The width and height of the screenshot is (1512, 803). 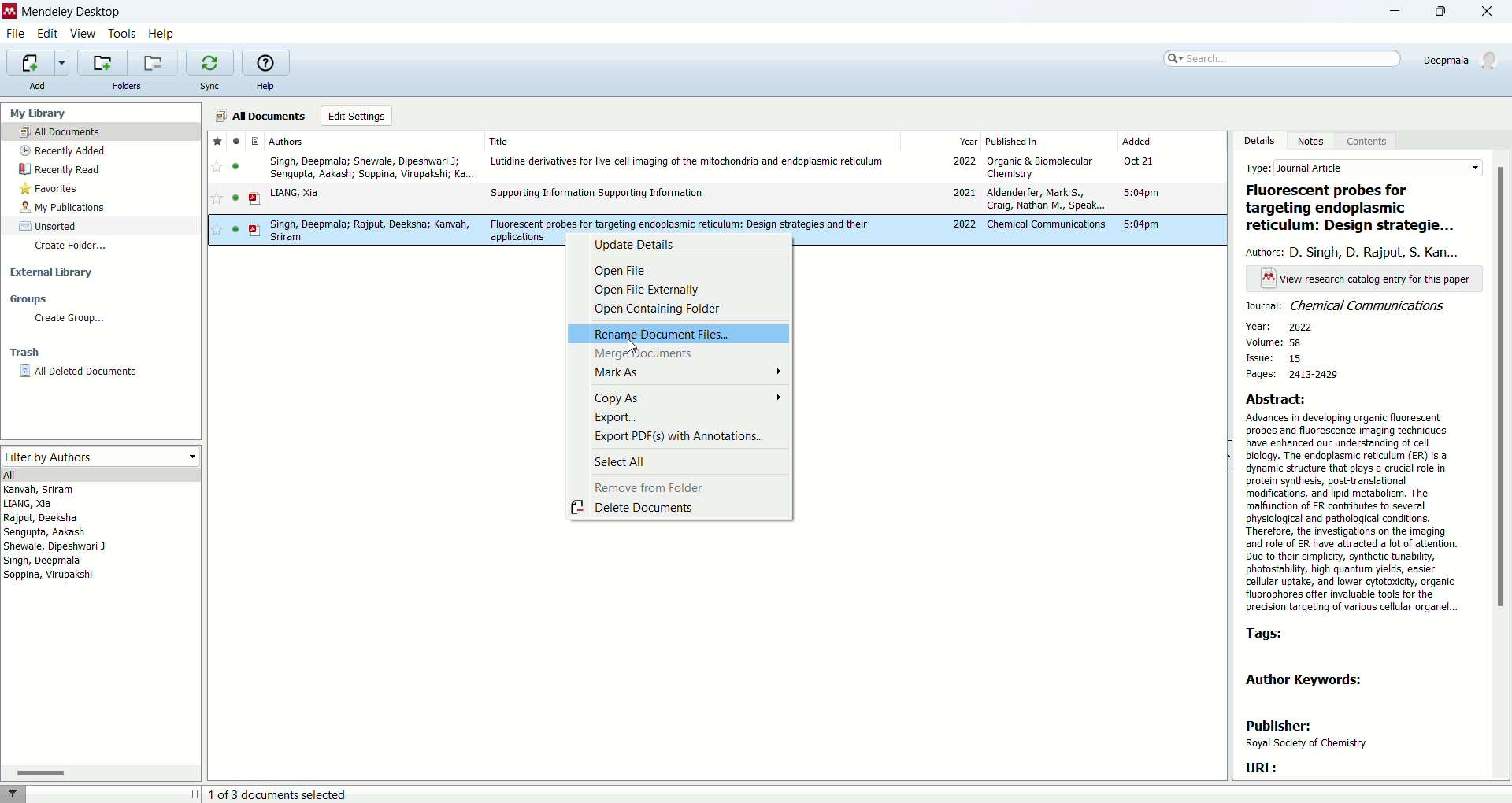 I want to click on merge documents, so click(x=682, y=355).